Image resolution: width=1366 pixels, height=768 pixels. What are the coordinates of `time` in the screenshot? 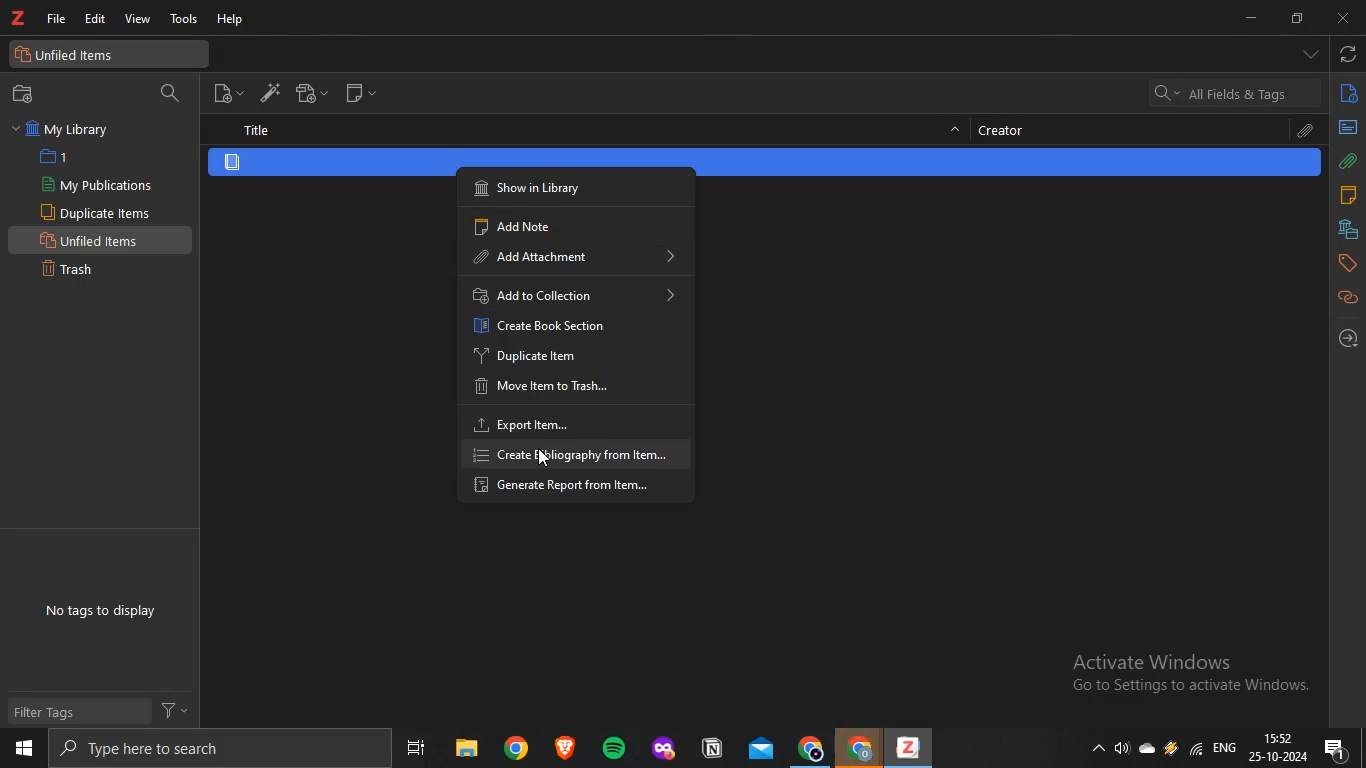 It's located at (1279, 737).